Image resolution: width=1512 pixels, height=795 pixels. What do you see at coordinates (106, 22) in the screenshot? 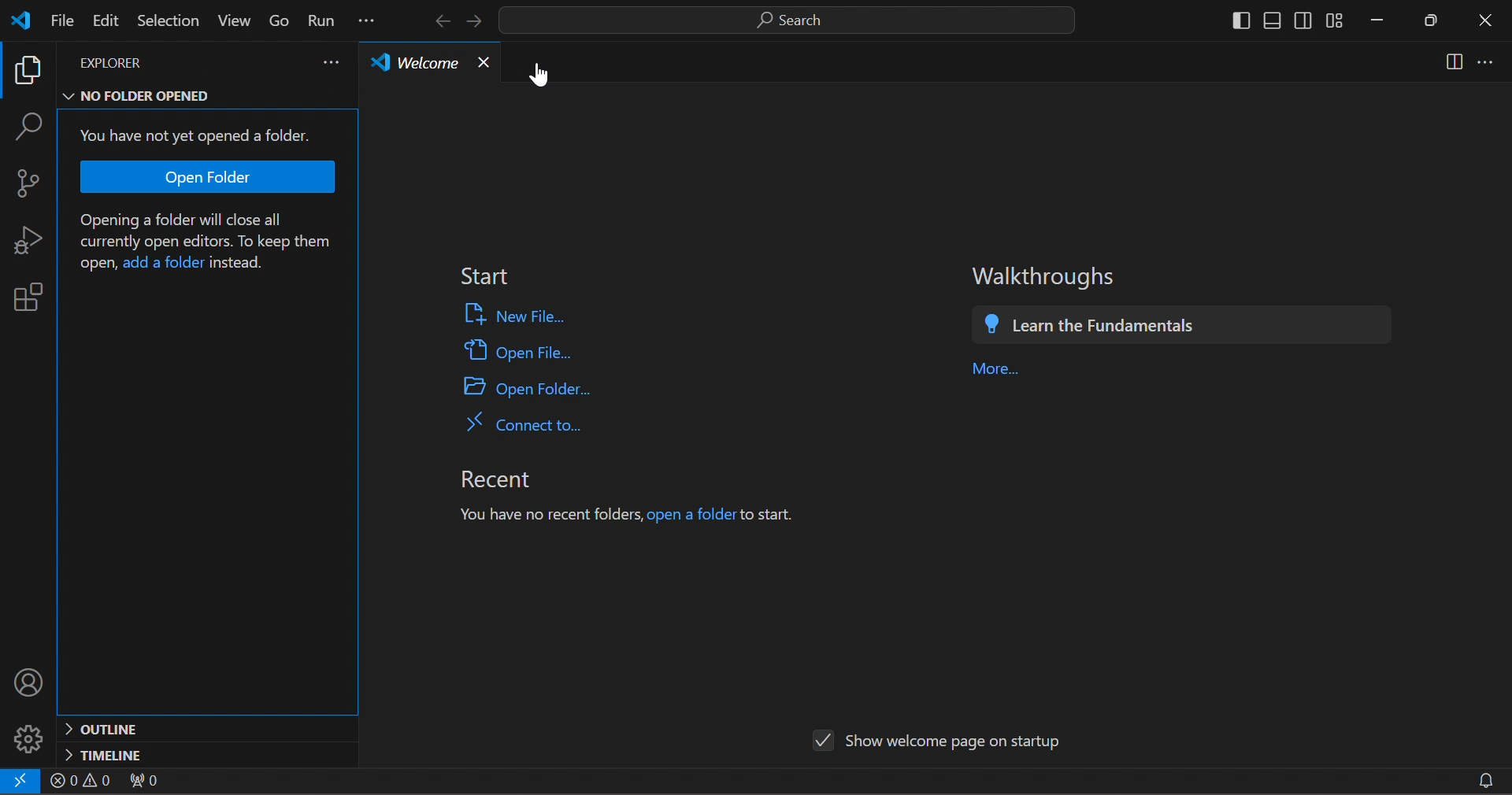
I see `edit` at bounding box center [106, 22].